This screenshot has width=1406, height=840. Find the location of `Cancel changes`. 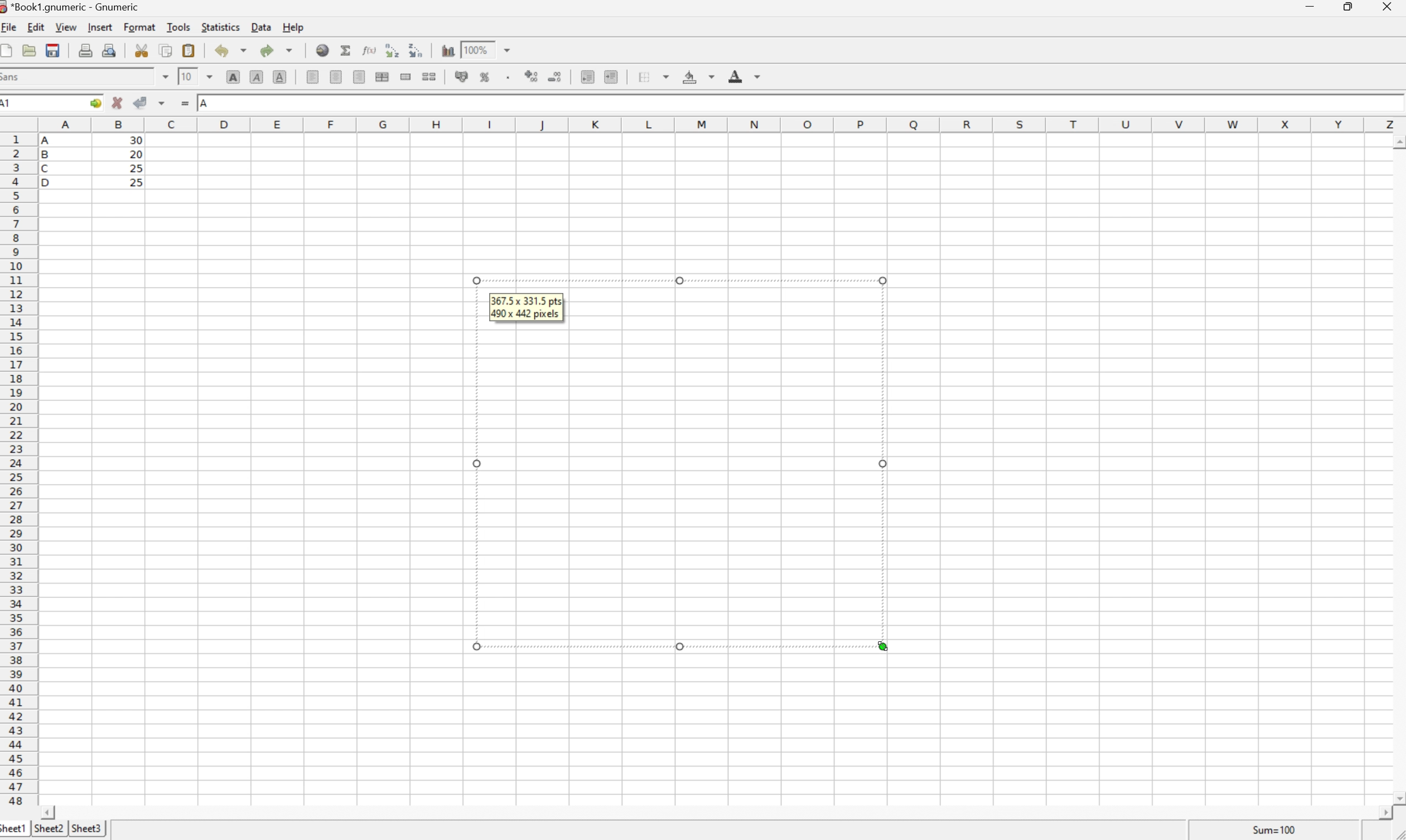

Cancel changes is located at coordinates (117, 102).